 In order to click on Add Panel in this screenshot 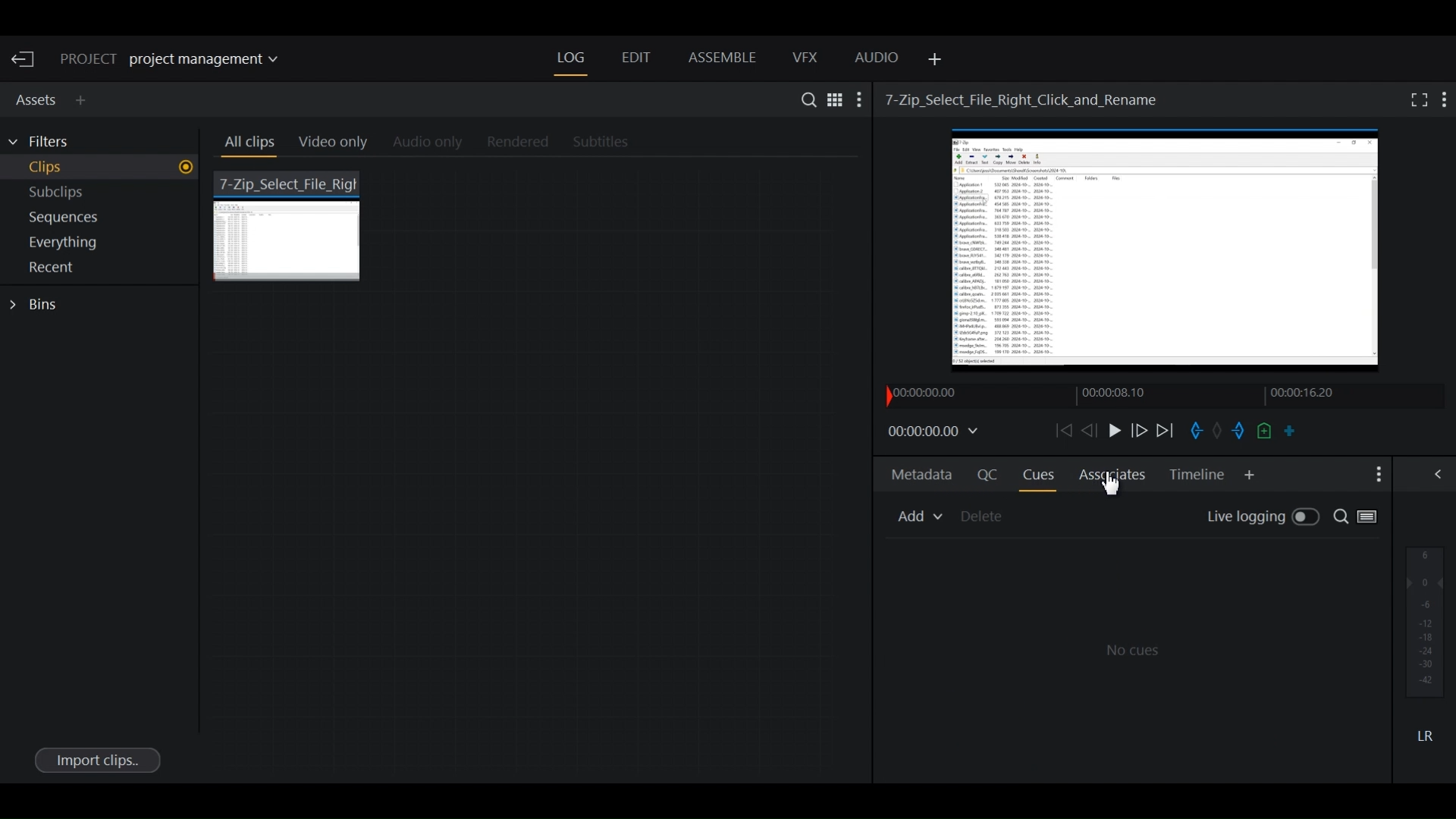, I will do `click(84, 100)`.